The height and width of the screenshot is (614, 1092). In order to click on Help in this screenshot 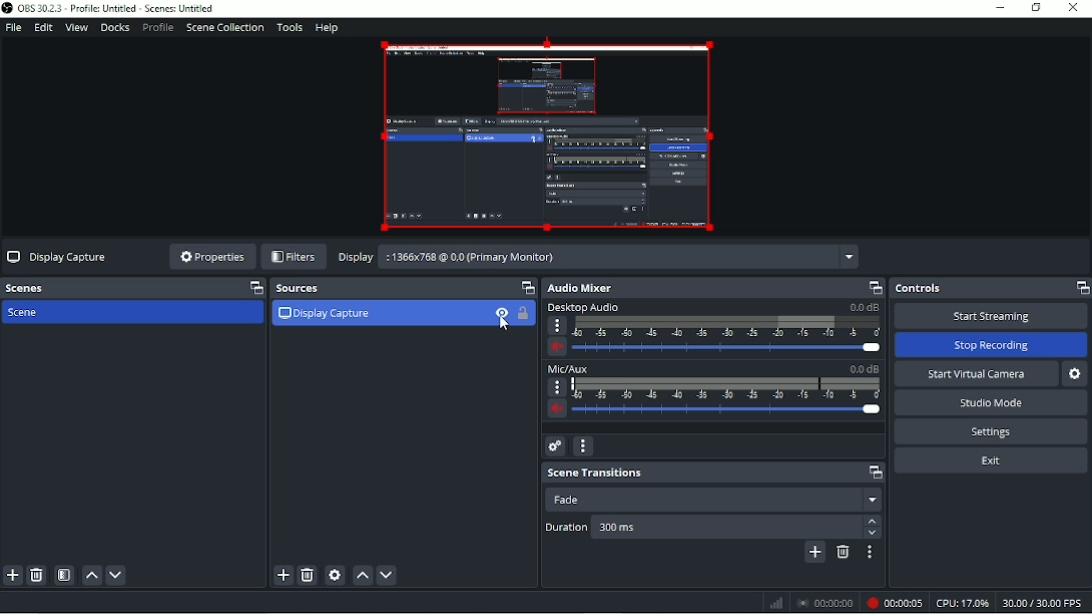, I will do `click(327, 28)`.